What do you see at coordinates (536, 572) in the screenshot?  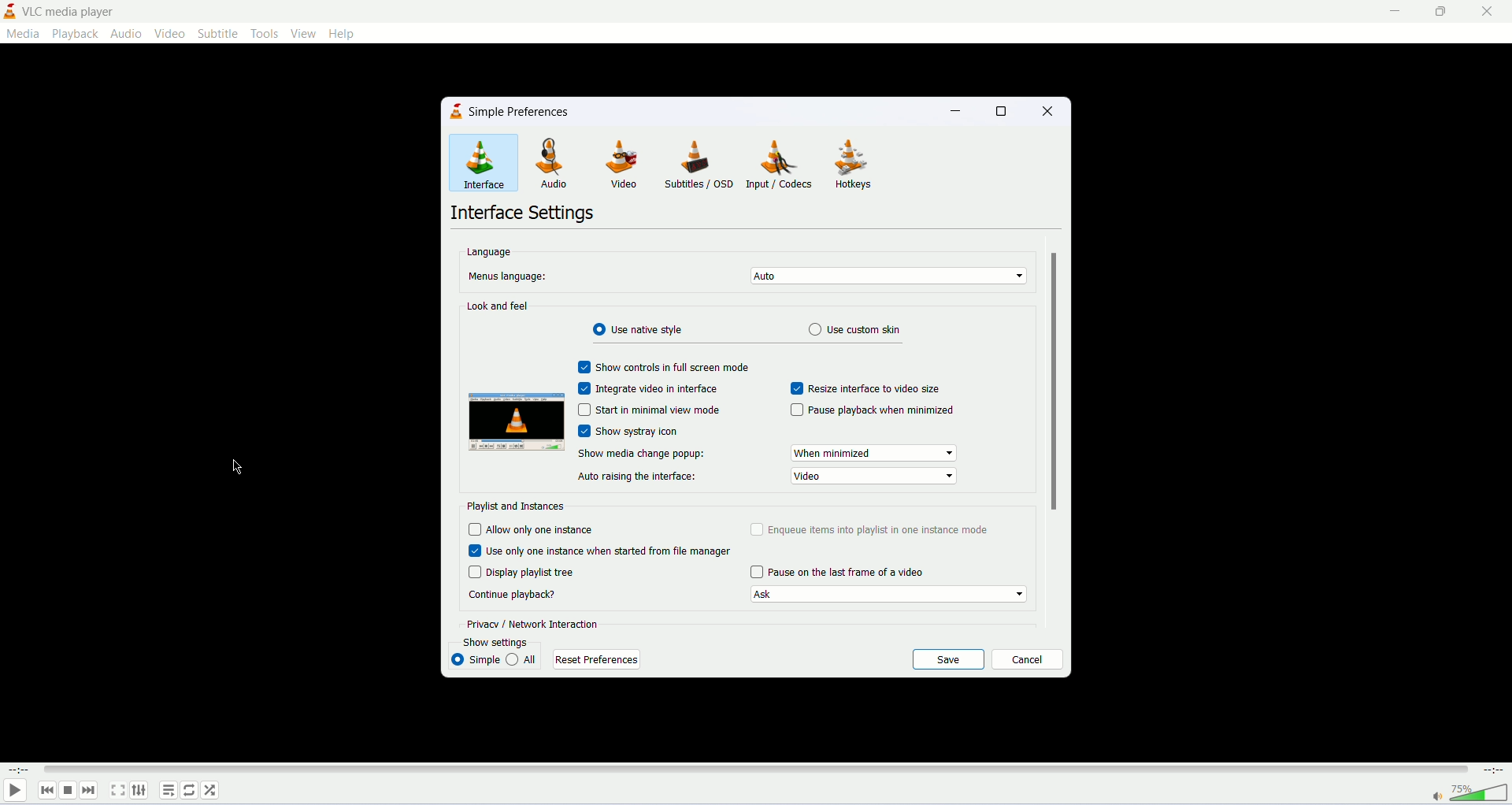 I see `display playlist tree` at bounding box center [536, 572].